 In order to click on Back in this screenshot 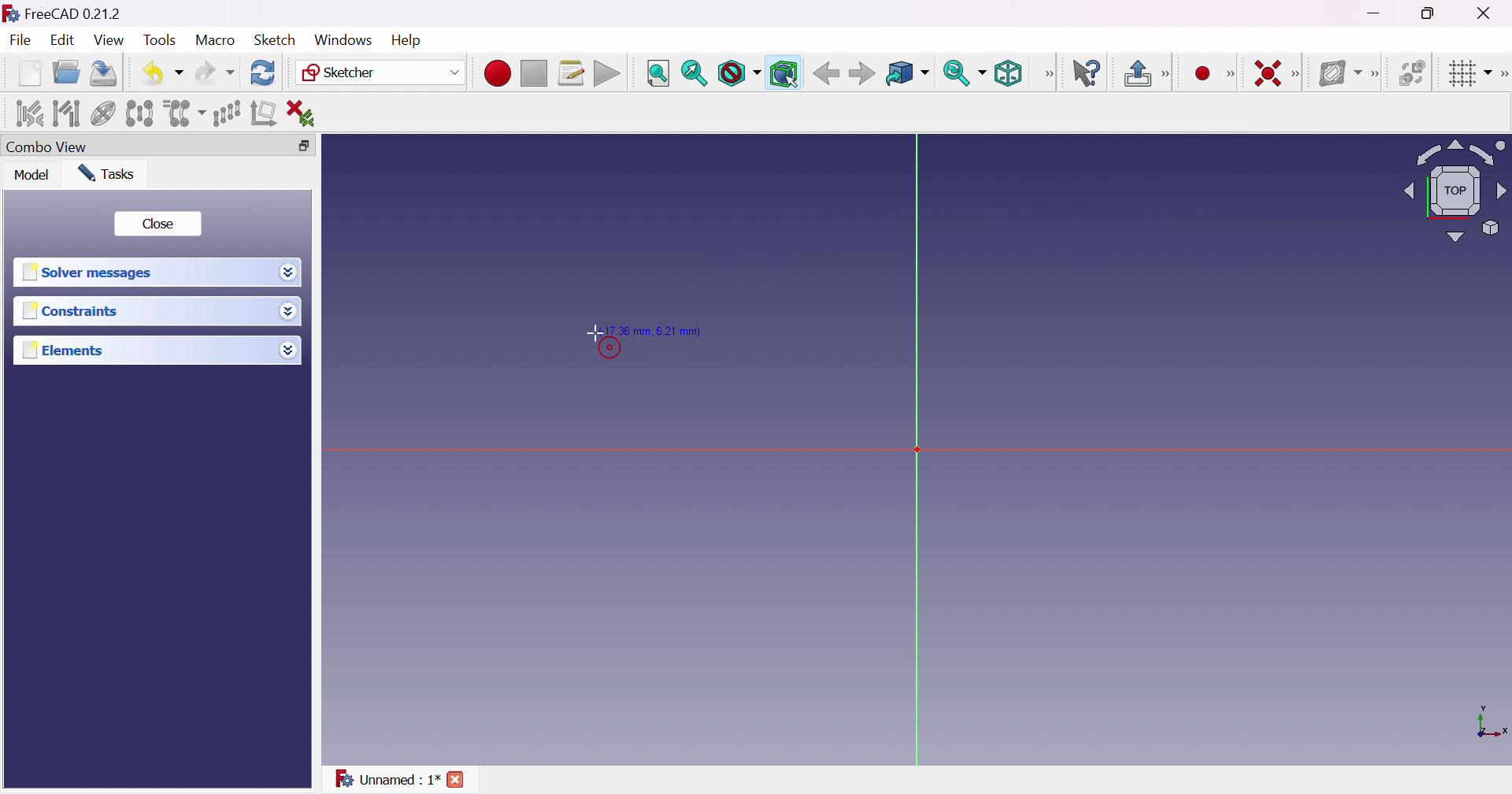, I will do `click(861, 73)`.